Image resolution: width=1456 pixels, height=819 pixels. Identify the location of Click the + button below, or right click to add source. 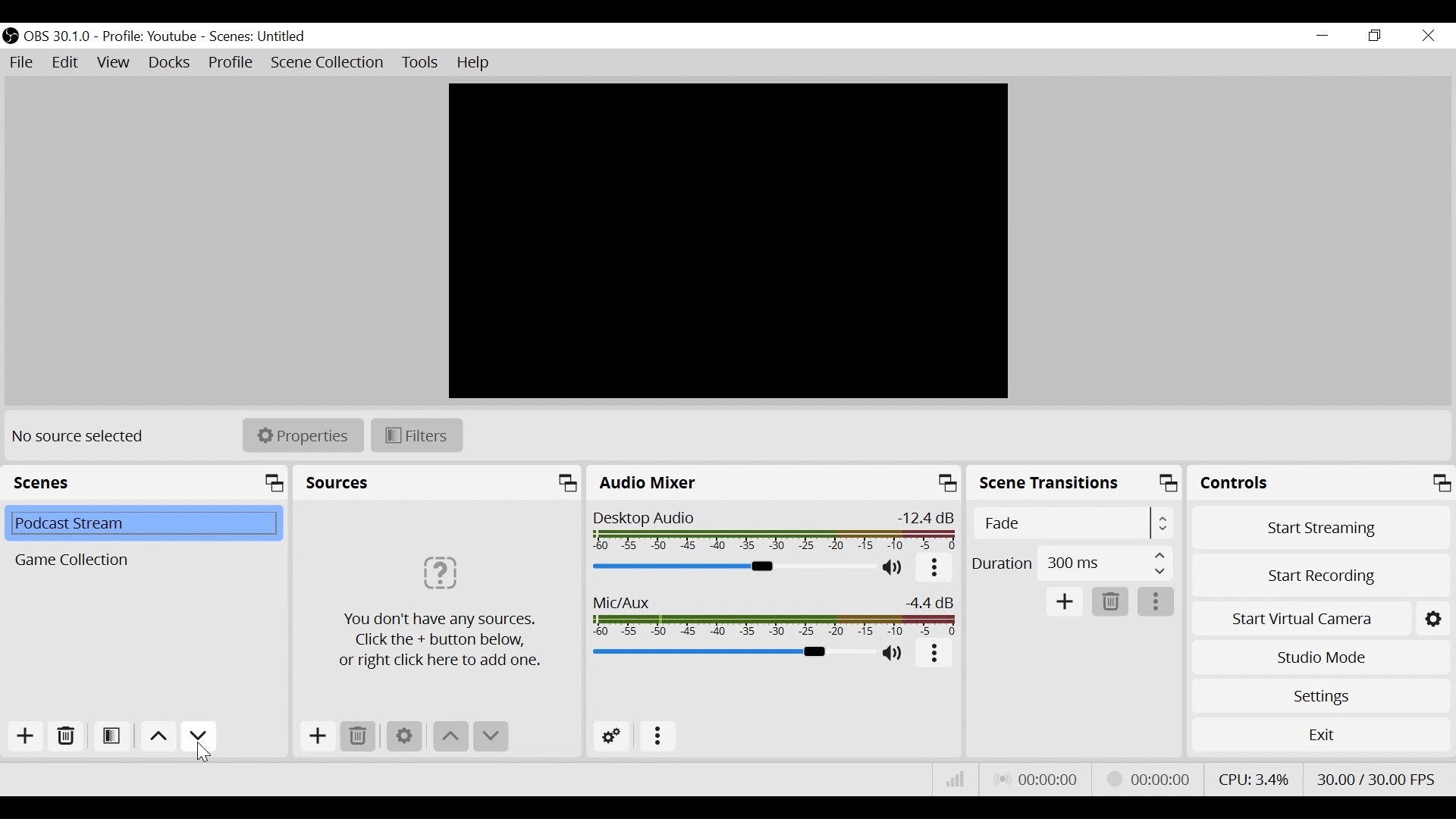
(446, 601).